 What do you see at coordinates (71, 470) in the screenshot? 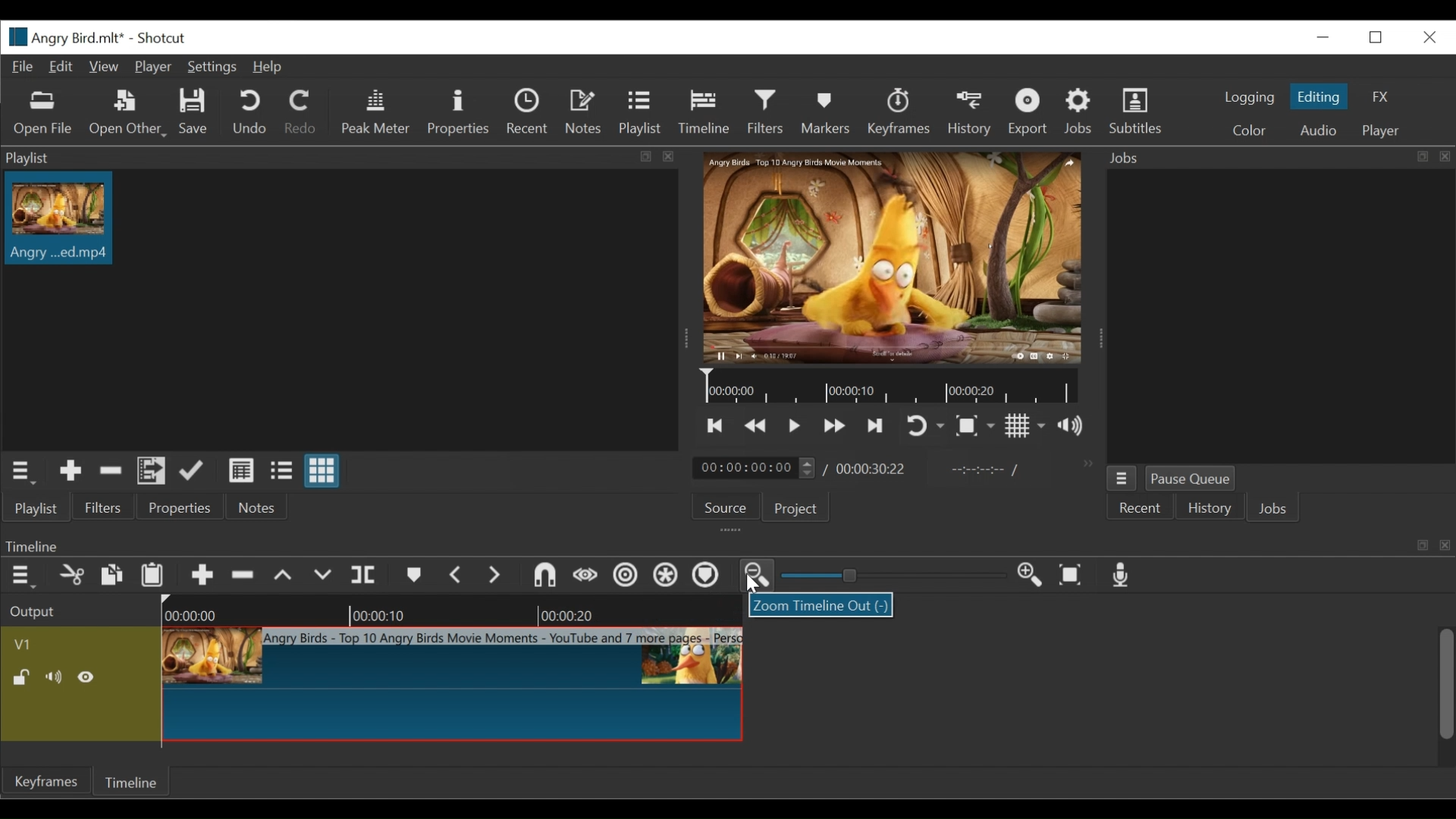
I see `Add the Source to the playlist` at bounding box center [71, 470].